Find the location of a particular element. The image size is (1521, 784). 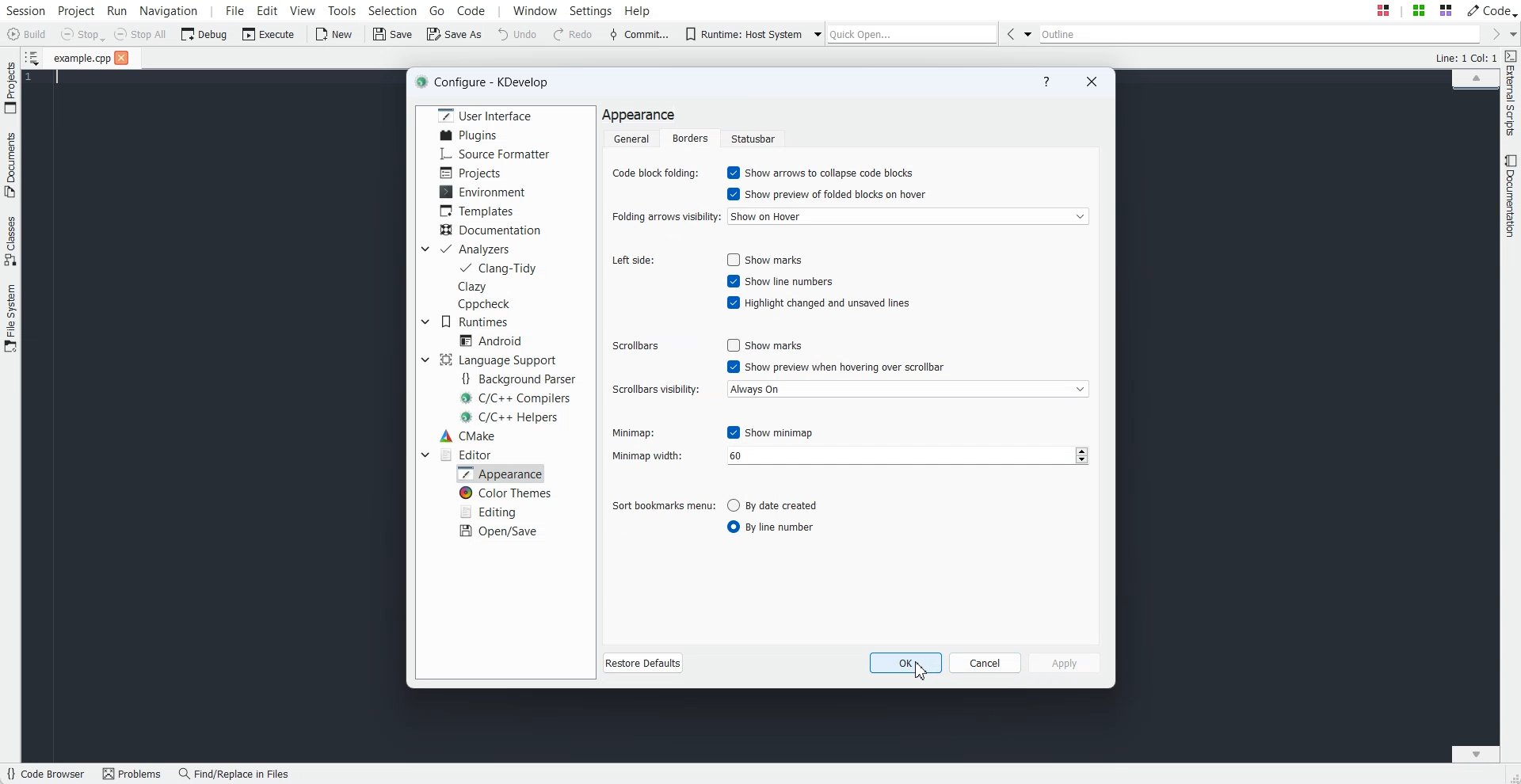

Clang-Tidy is located at coordinates (500, 268).